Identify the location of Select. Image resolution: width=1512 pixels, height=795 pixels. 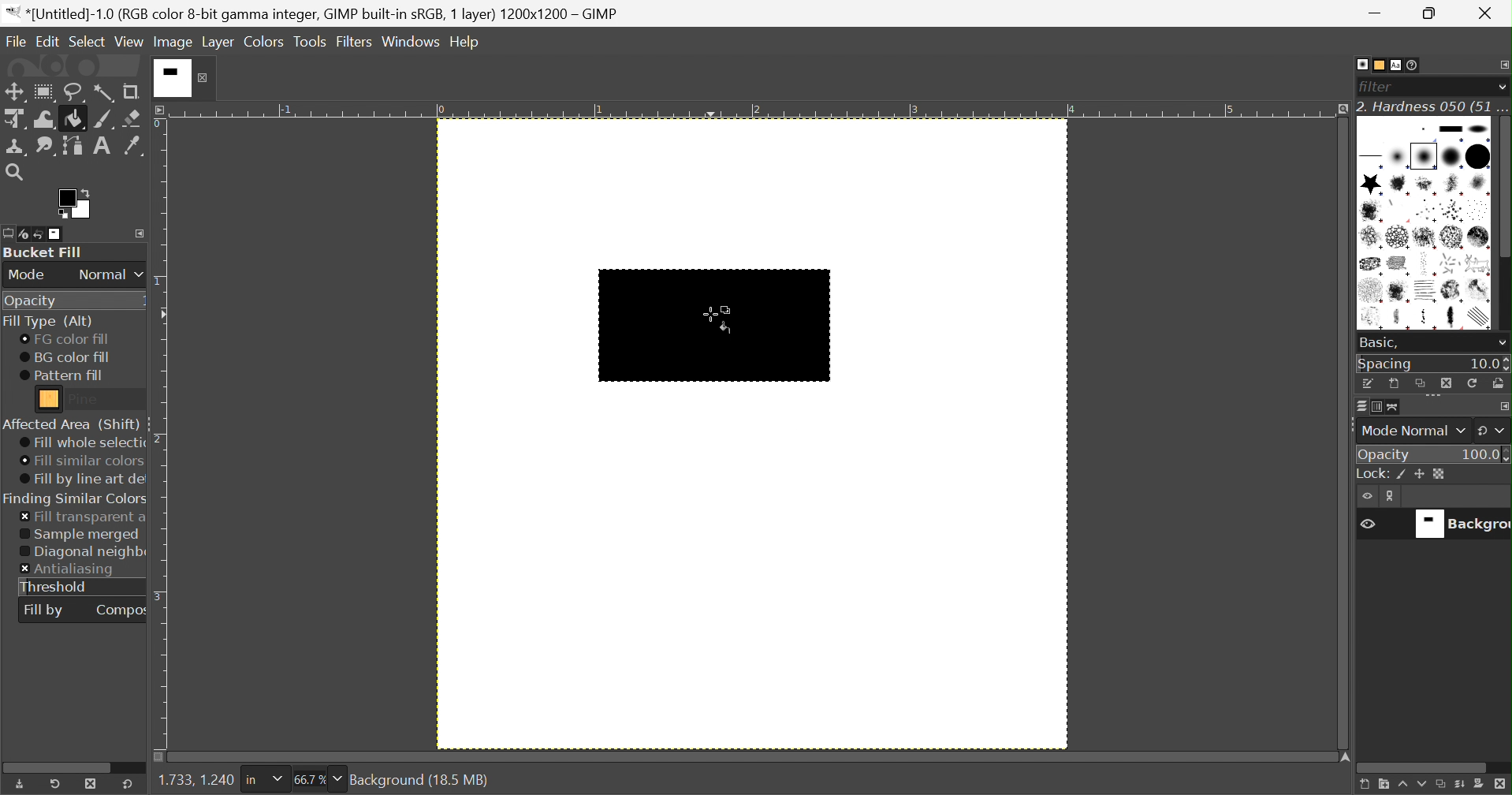
(88, 39).